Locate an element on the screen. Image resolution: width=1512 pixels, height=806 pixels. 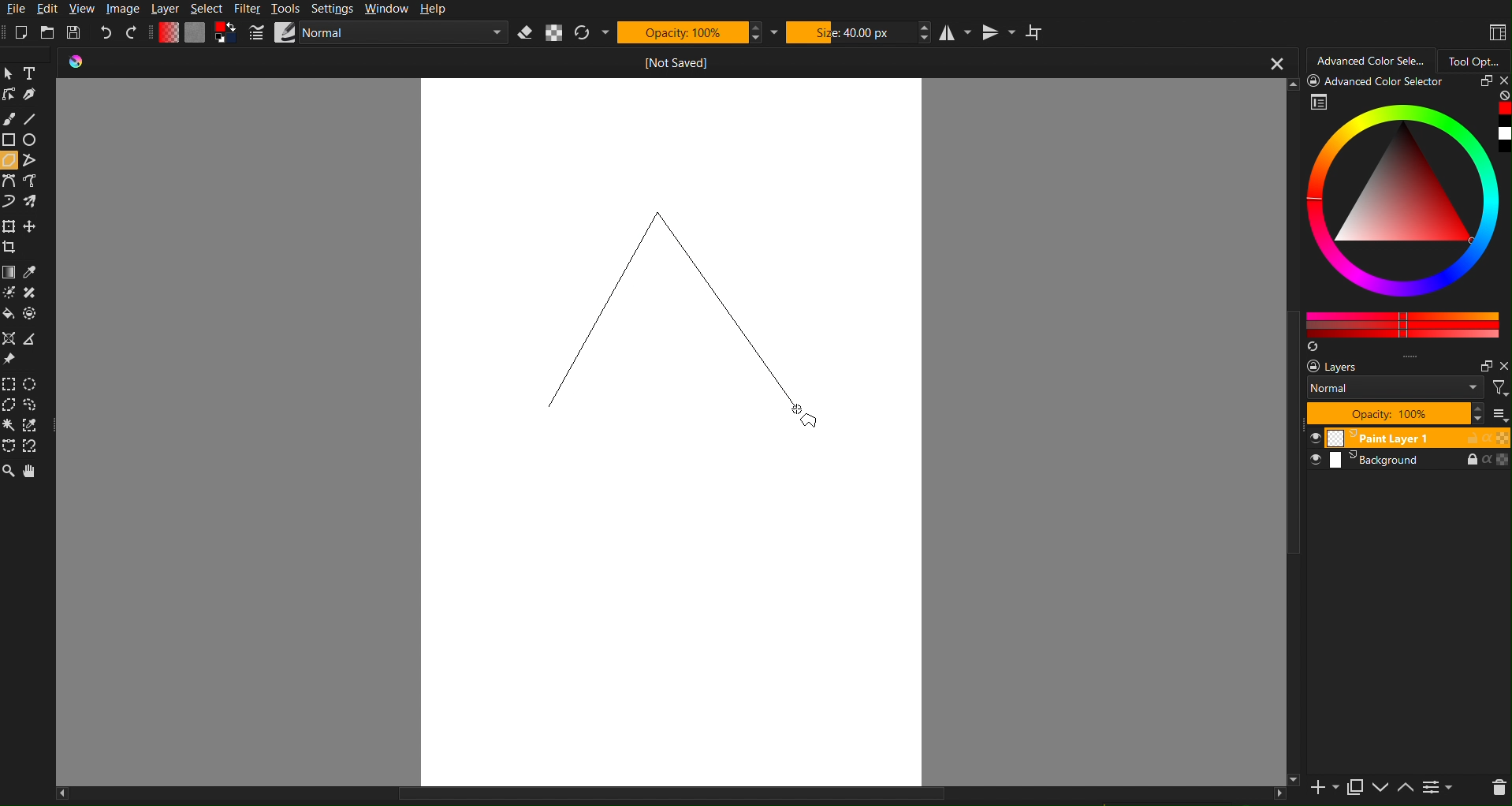
ellipse tool is located at coordinates (35, 140).